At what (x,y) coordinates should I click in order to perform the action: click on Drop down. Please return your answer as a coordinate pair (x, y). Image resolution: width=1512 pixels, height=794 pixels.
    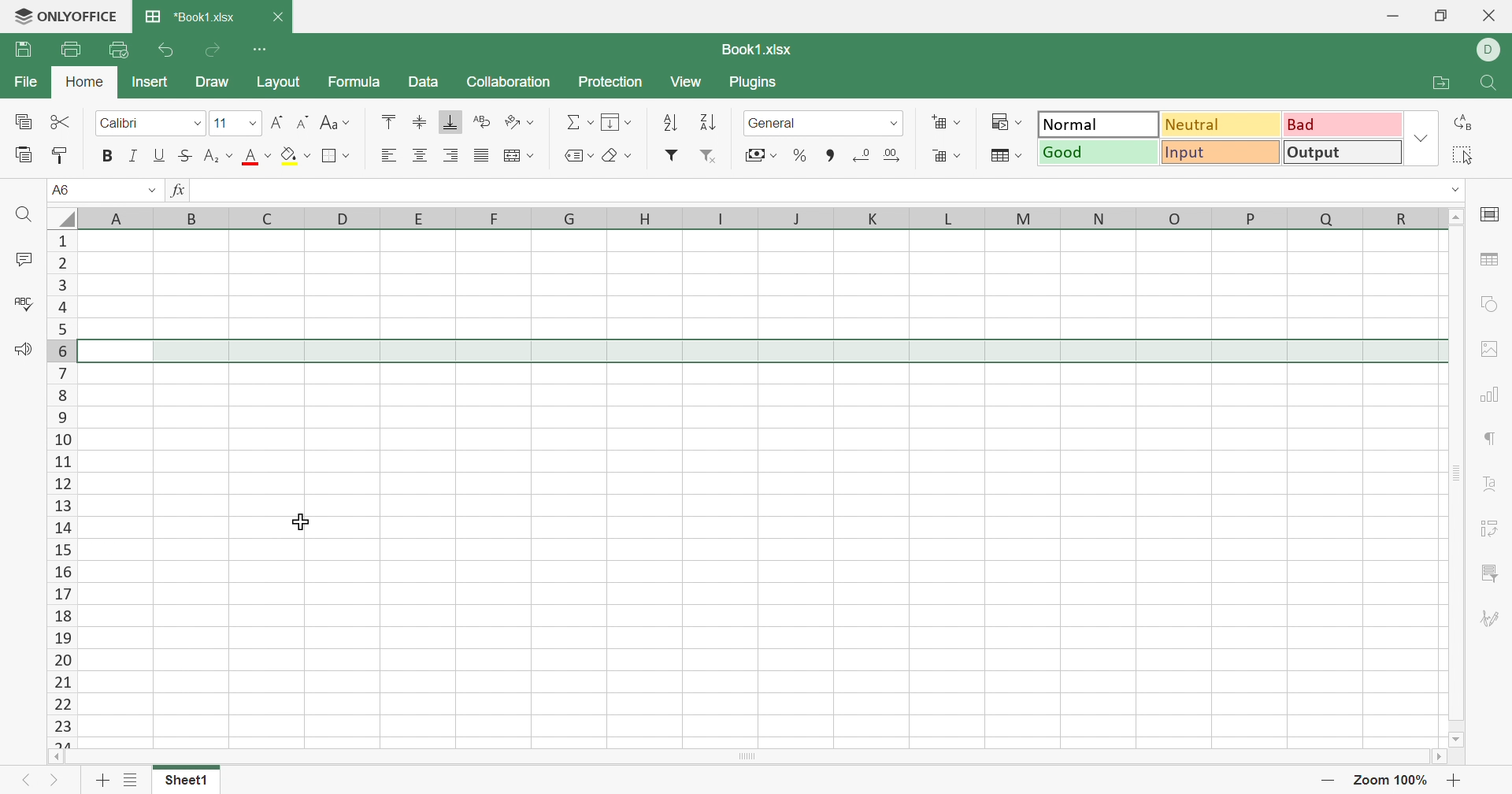
    Looking at the image, I should click on (151, 189).